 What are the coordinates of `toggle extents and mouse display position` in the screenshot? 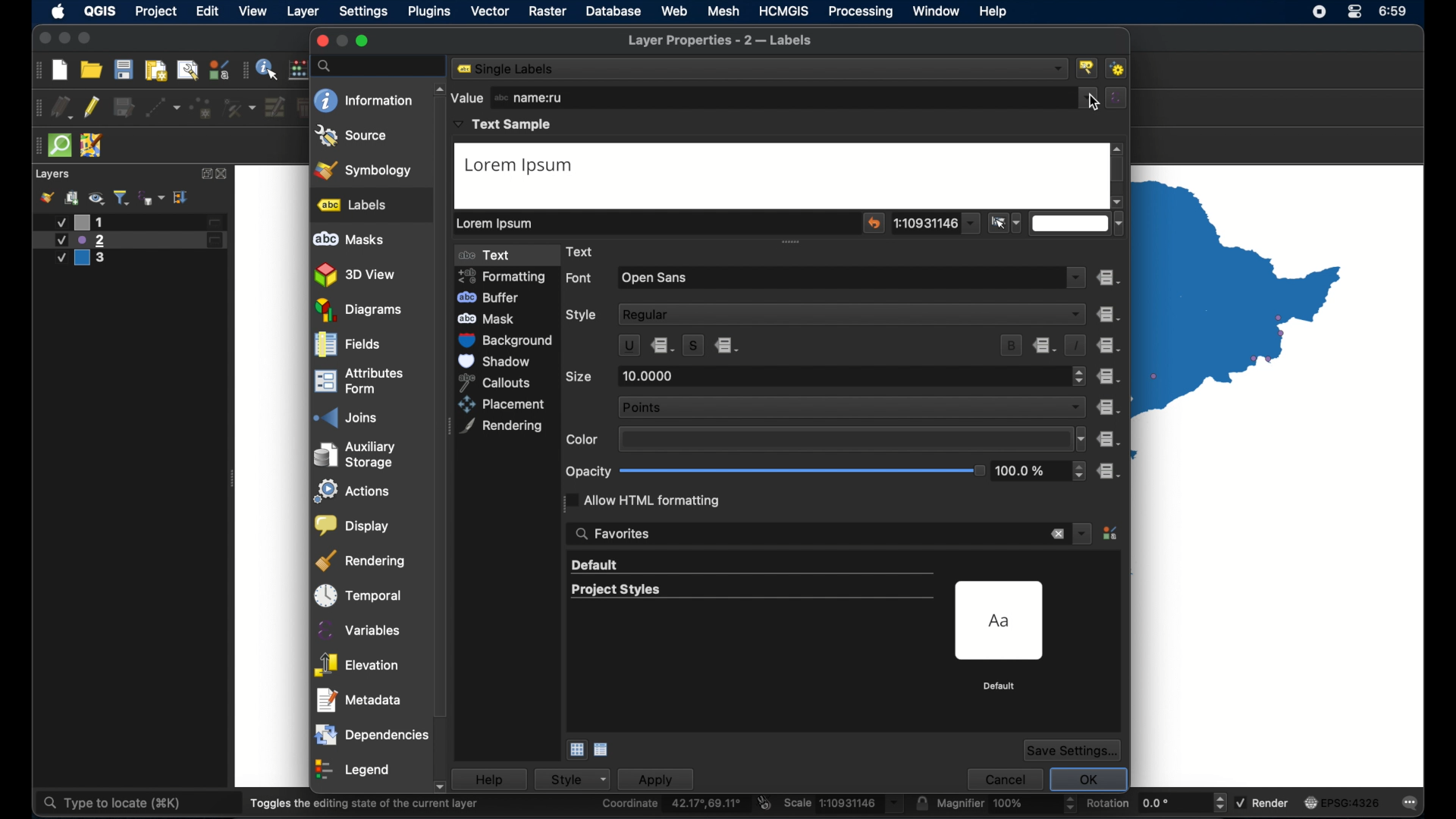 It's located at (765, 802).